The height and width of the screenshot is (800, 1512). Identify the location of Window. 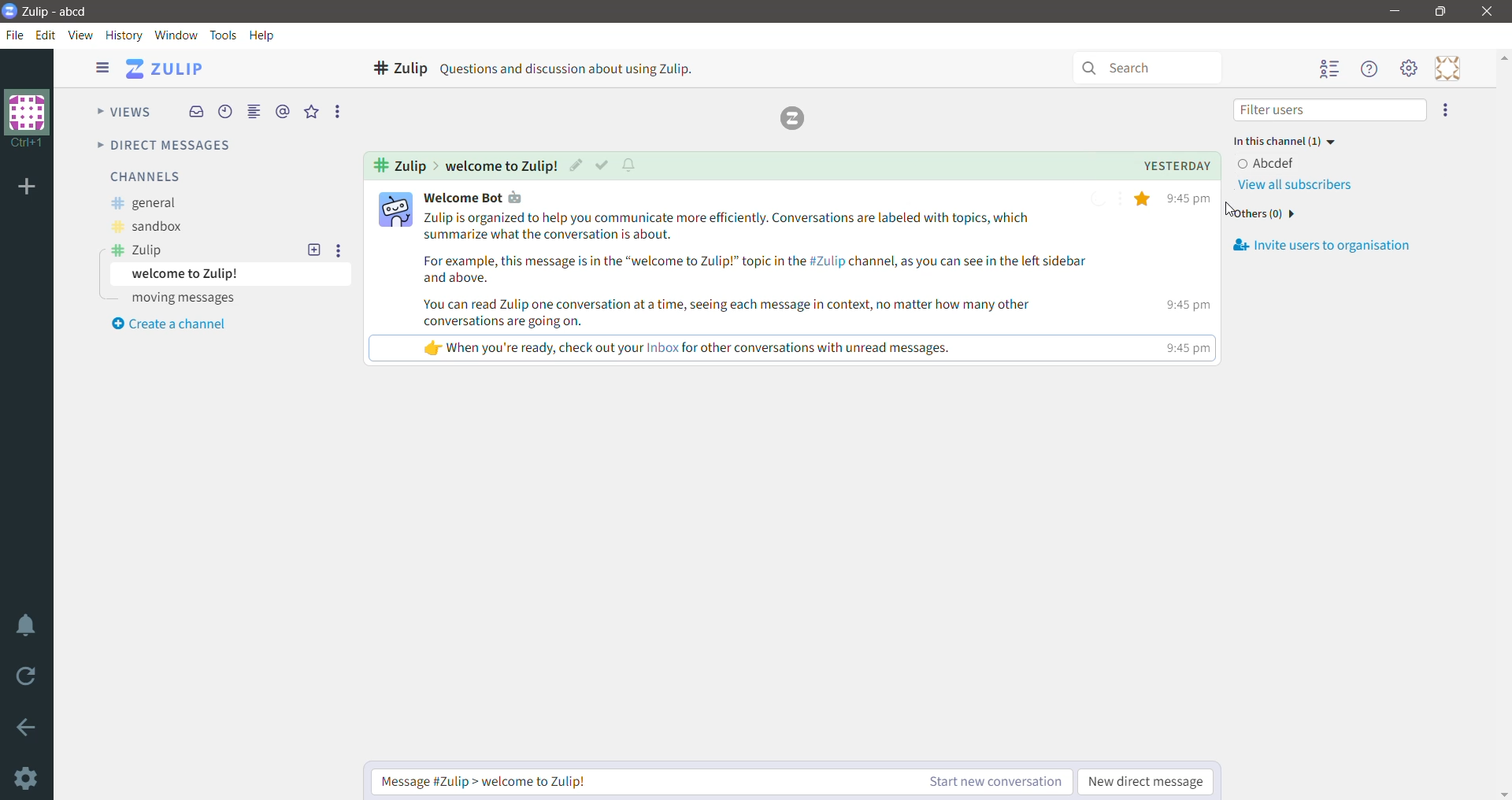
(176, 35).